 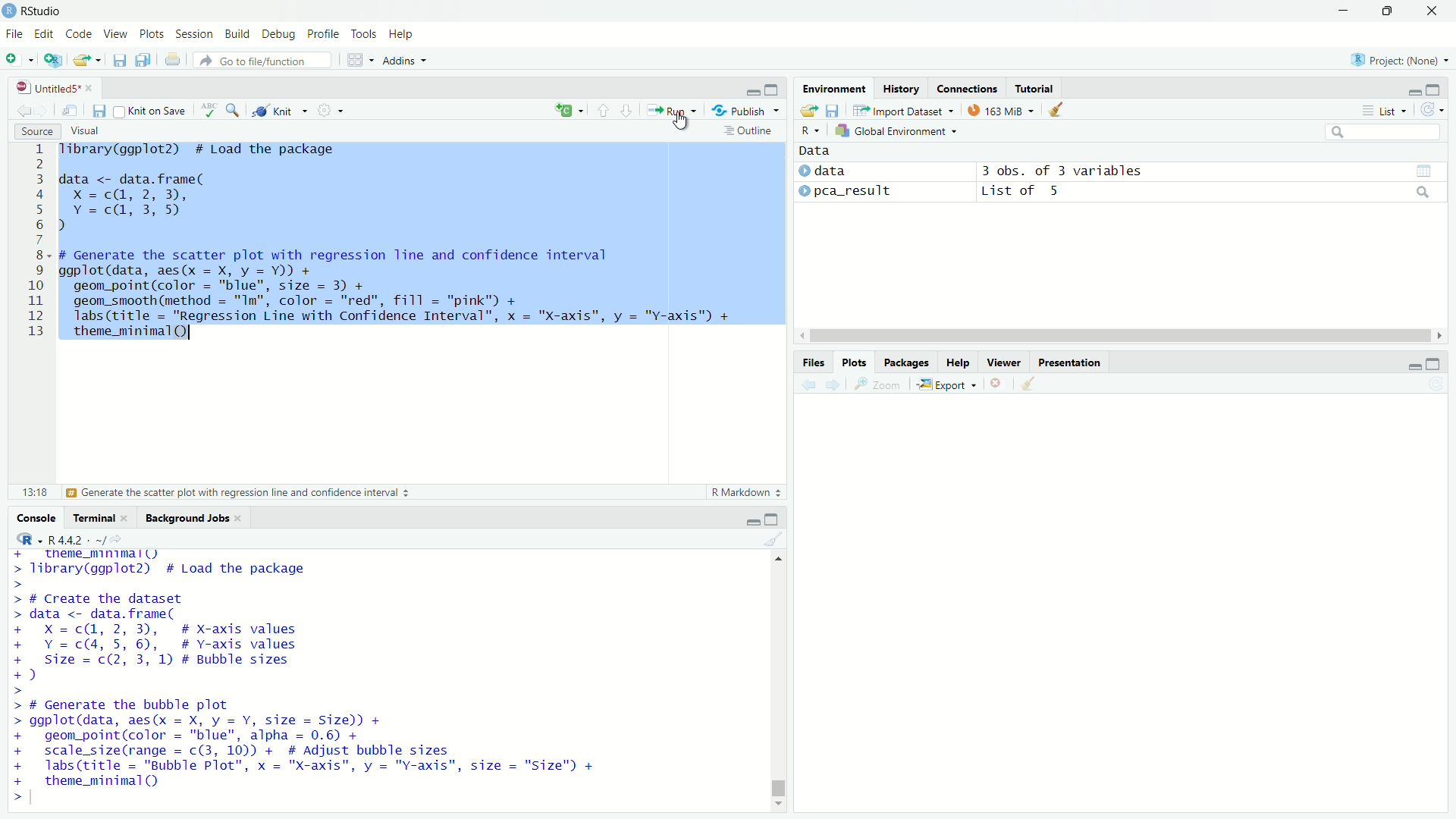 What do you see at coordinates (804, 191) in the screenshot?
I see `expand/collapse` at bounding box center [804, 191].